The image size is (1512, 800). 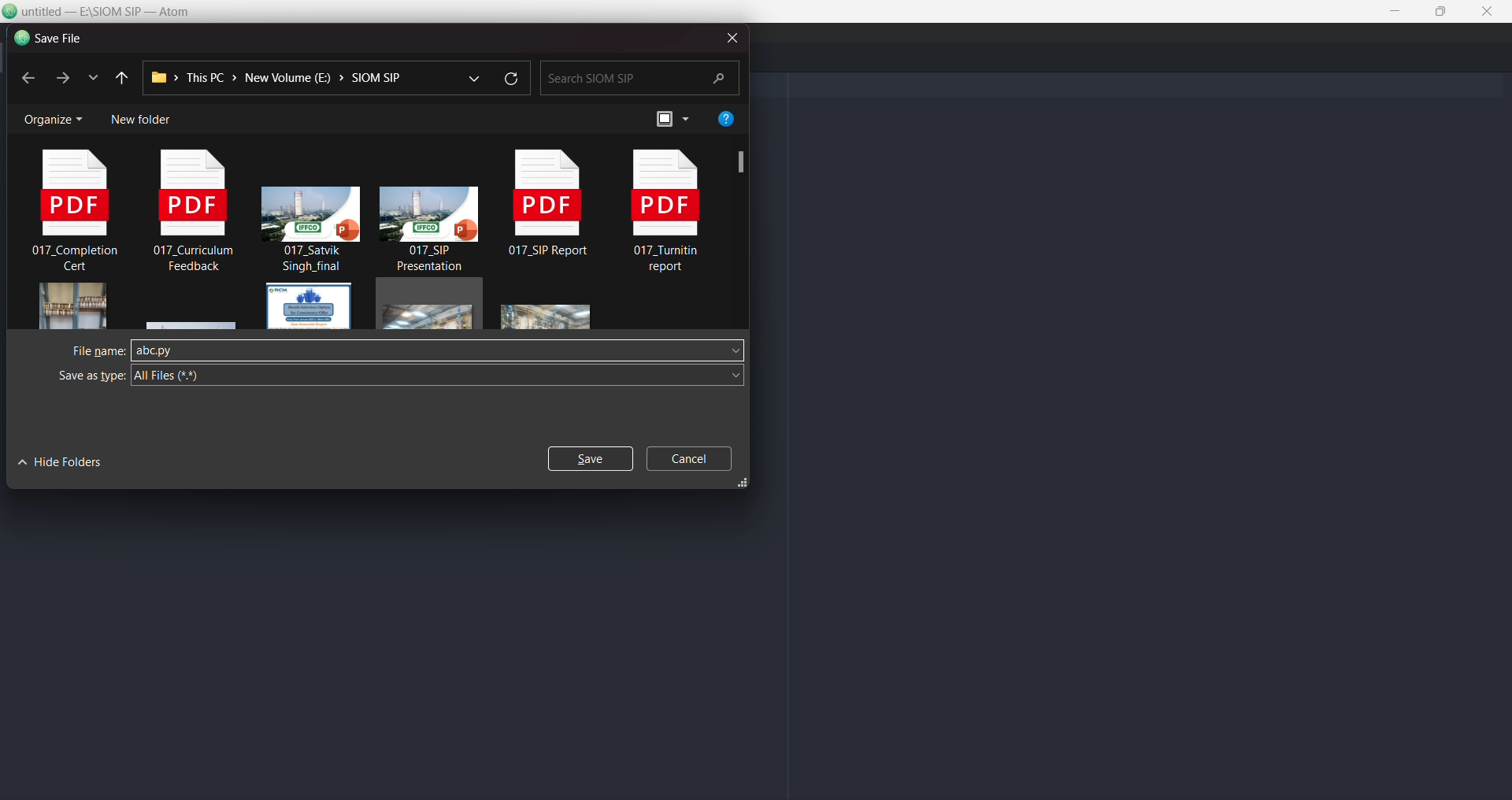 What do you see at coordinates (692, 459) in the screenshot?
I see `cancel` at bounding box center [692, 459].